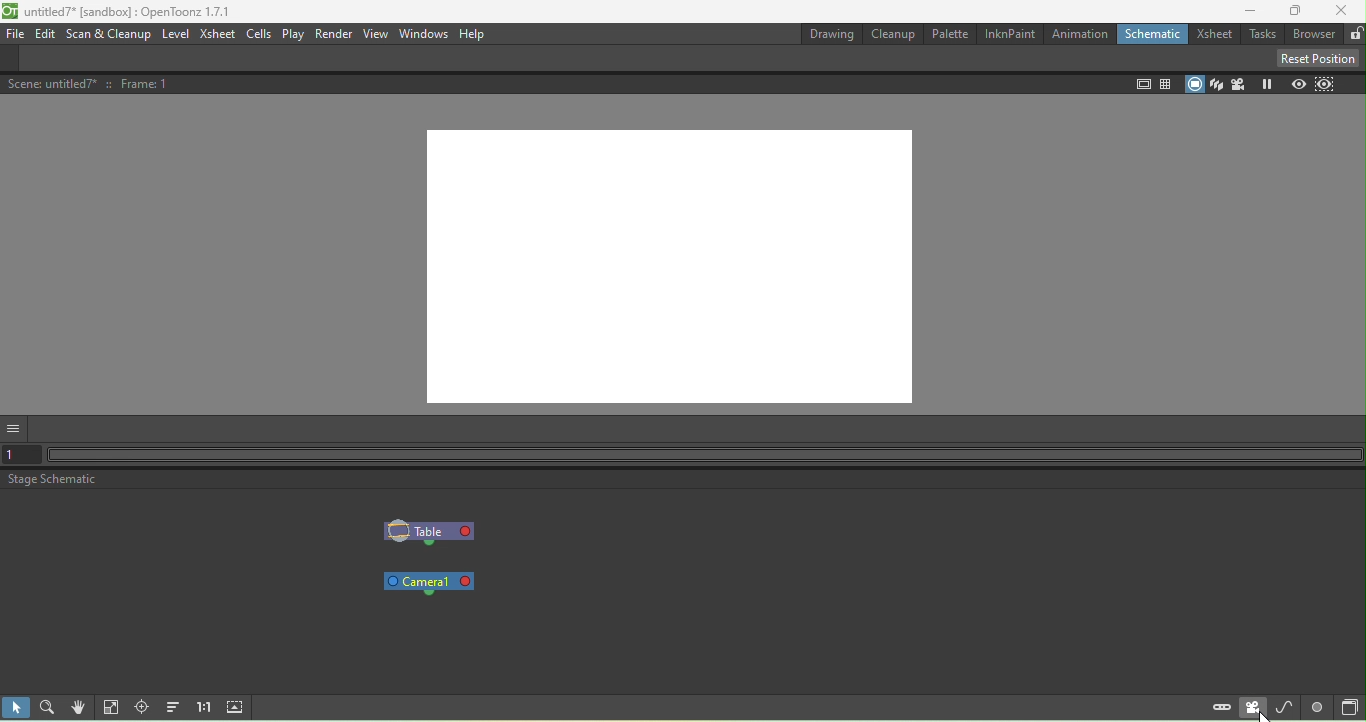  What do you see at coordinates (1219, 709) in the screenshot?
I see `New pegbar` at bounding box center [1219, 709].